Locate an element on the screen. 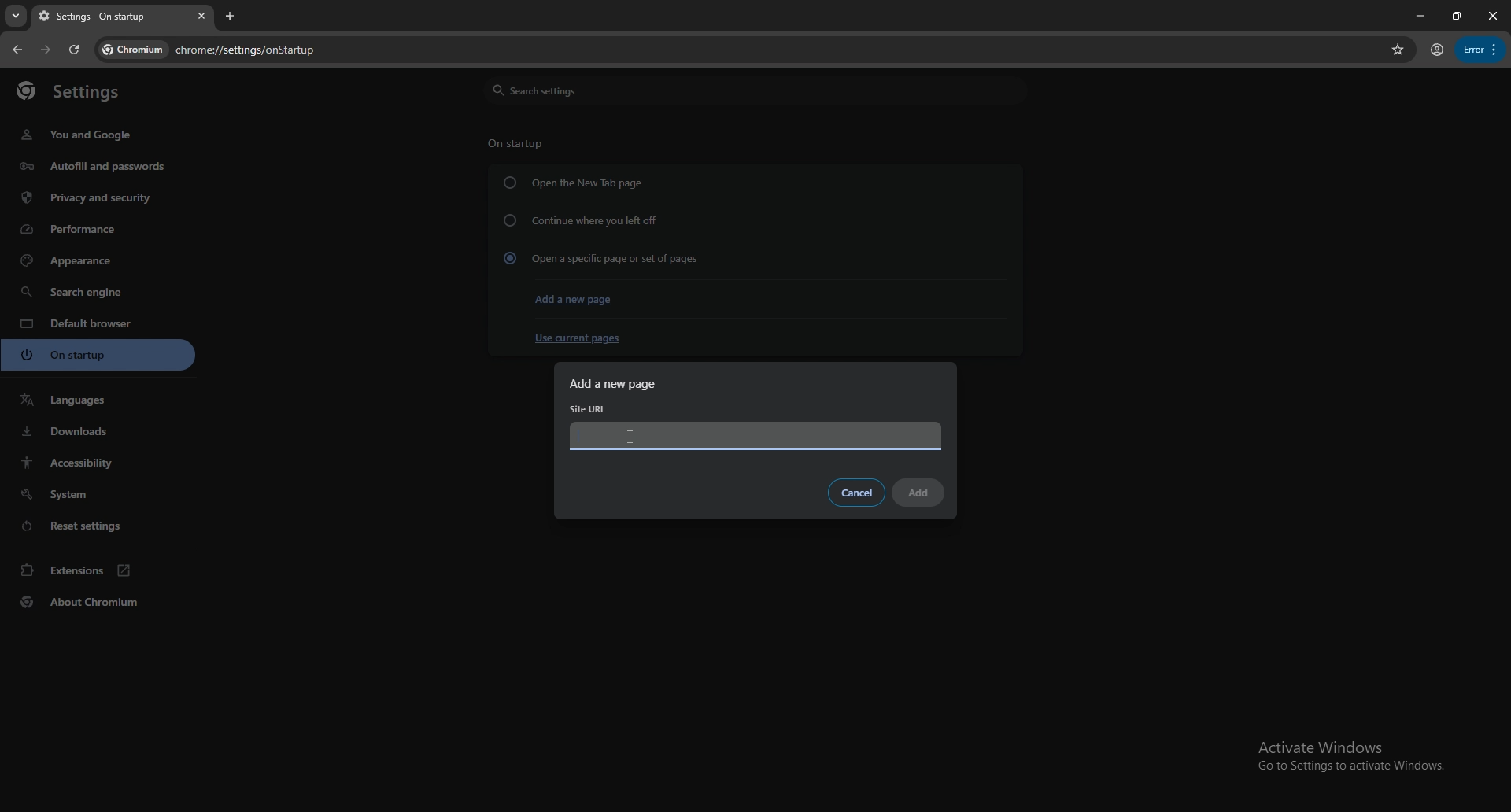 Image resolution: width=1511 pixels, height=812 pixels. search engine is located at coordinates (98, 291).